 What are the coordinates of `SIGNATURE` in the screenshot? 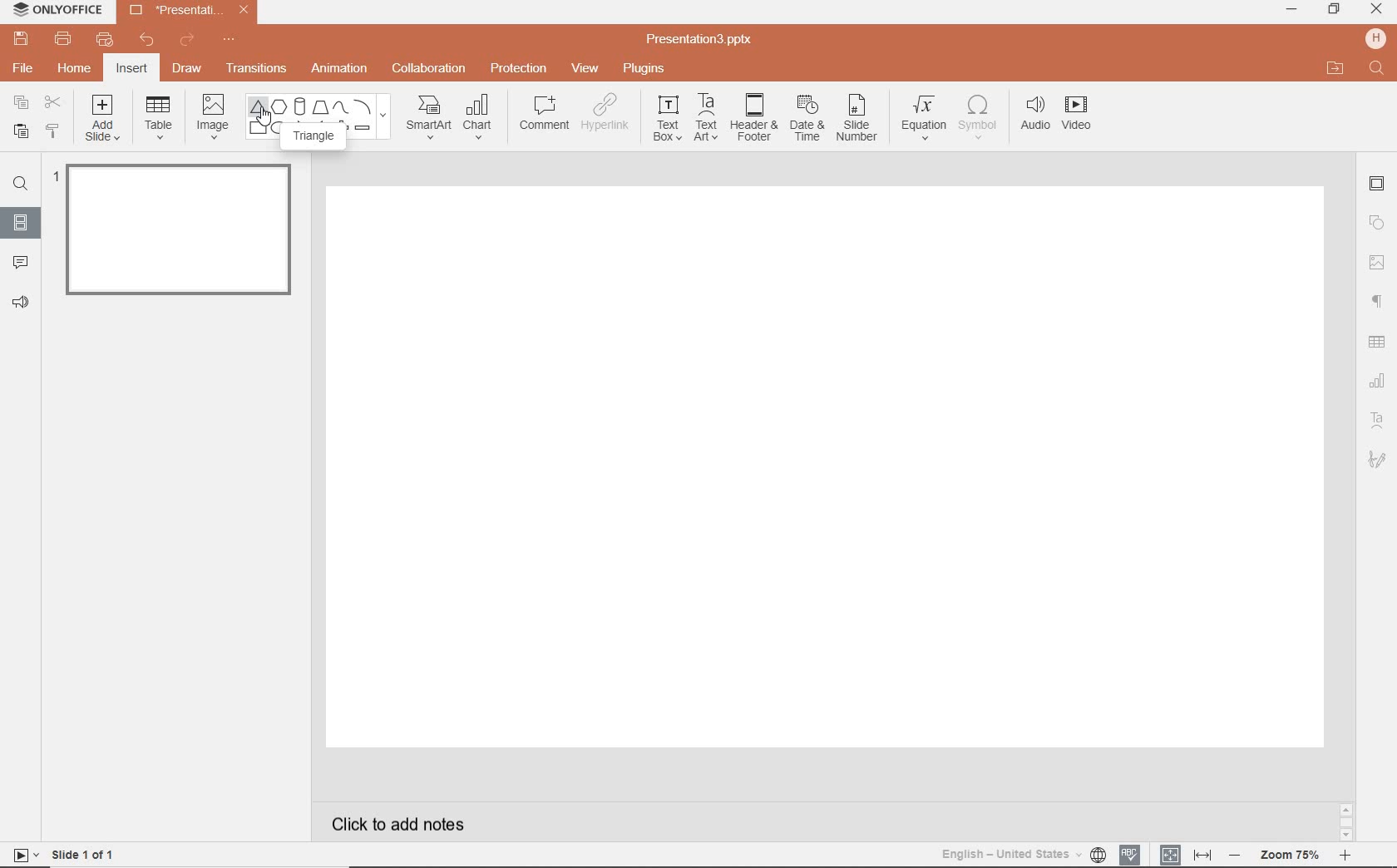 It's located at (1380, 458).